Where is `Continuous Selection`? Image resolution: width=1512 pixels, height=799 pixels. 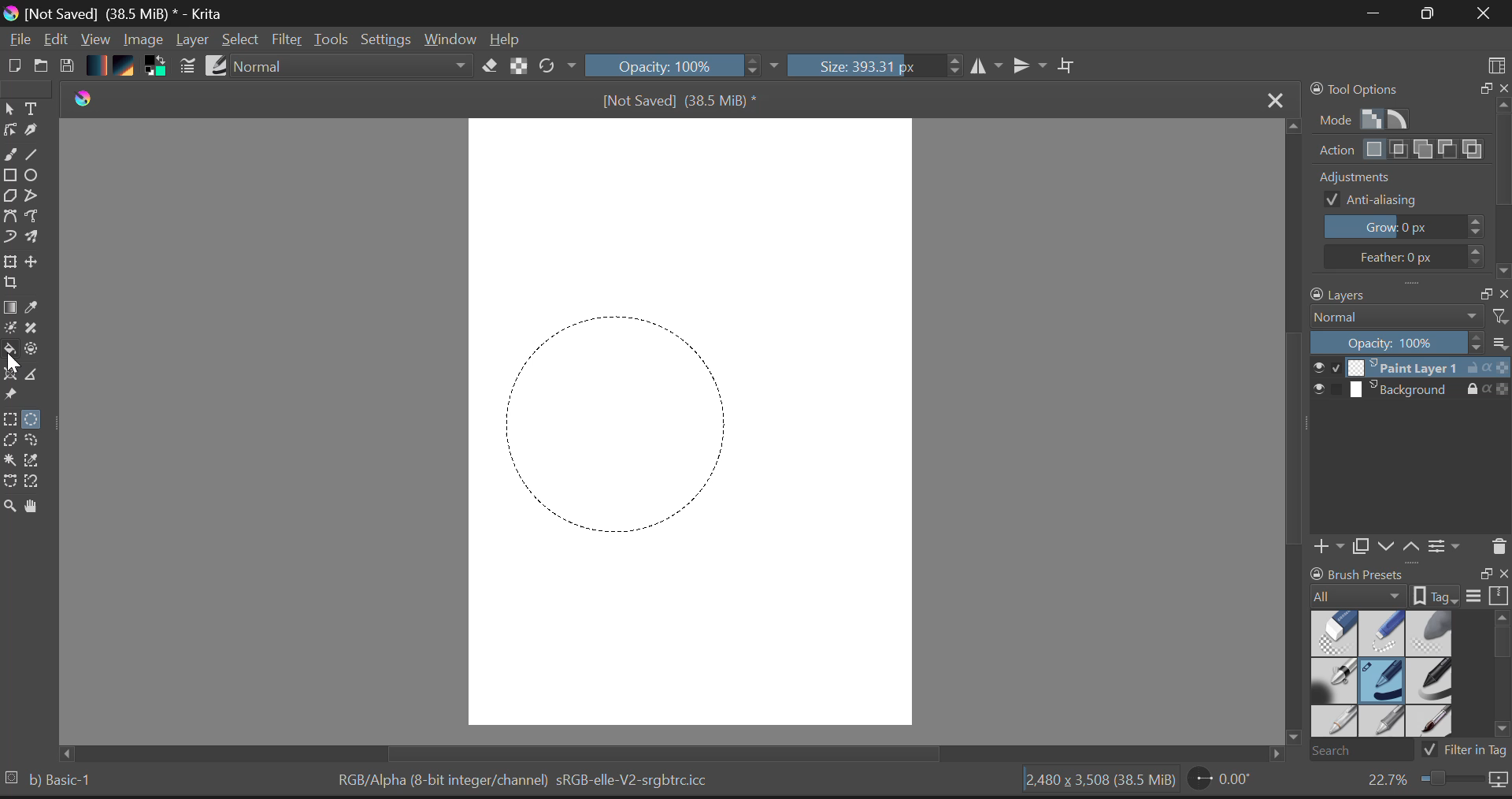 Continuous Selection is located at coordinates (13, 461).